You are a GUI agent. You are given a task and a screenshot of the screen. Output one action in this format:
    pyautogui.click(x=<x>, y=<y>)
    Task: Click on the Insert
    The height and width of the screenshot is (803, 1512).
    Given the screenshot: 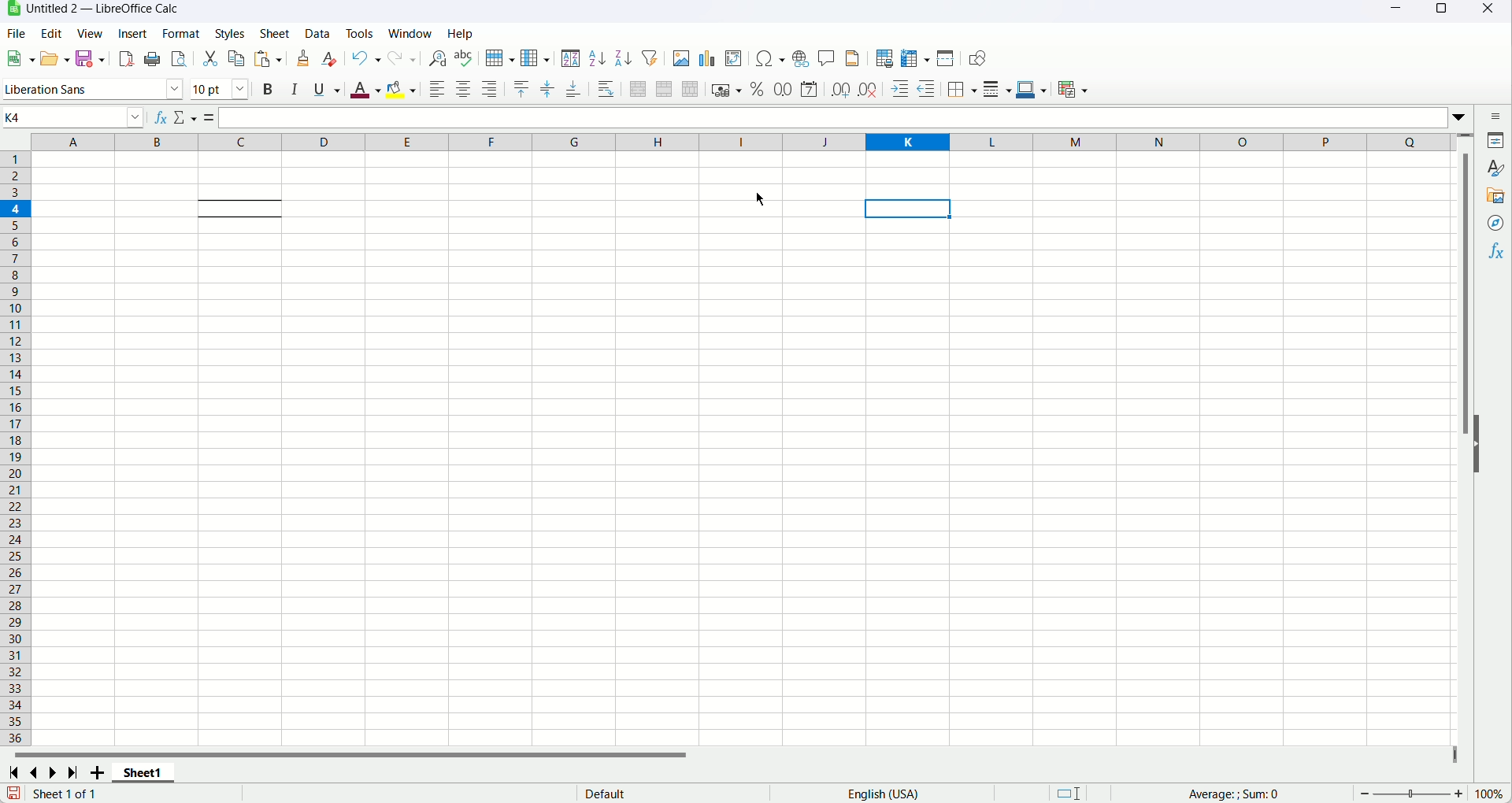 What is the action you would take?
    pyautogui.click(x=132, y=34)
    